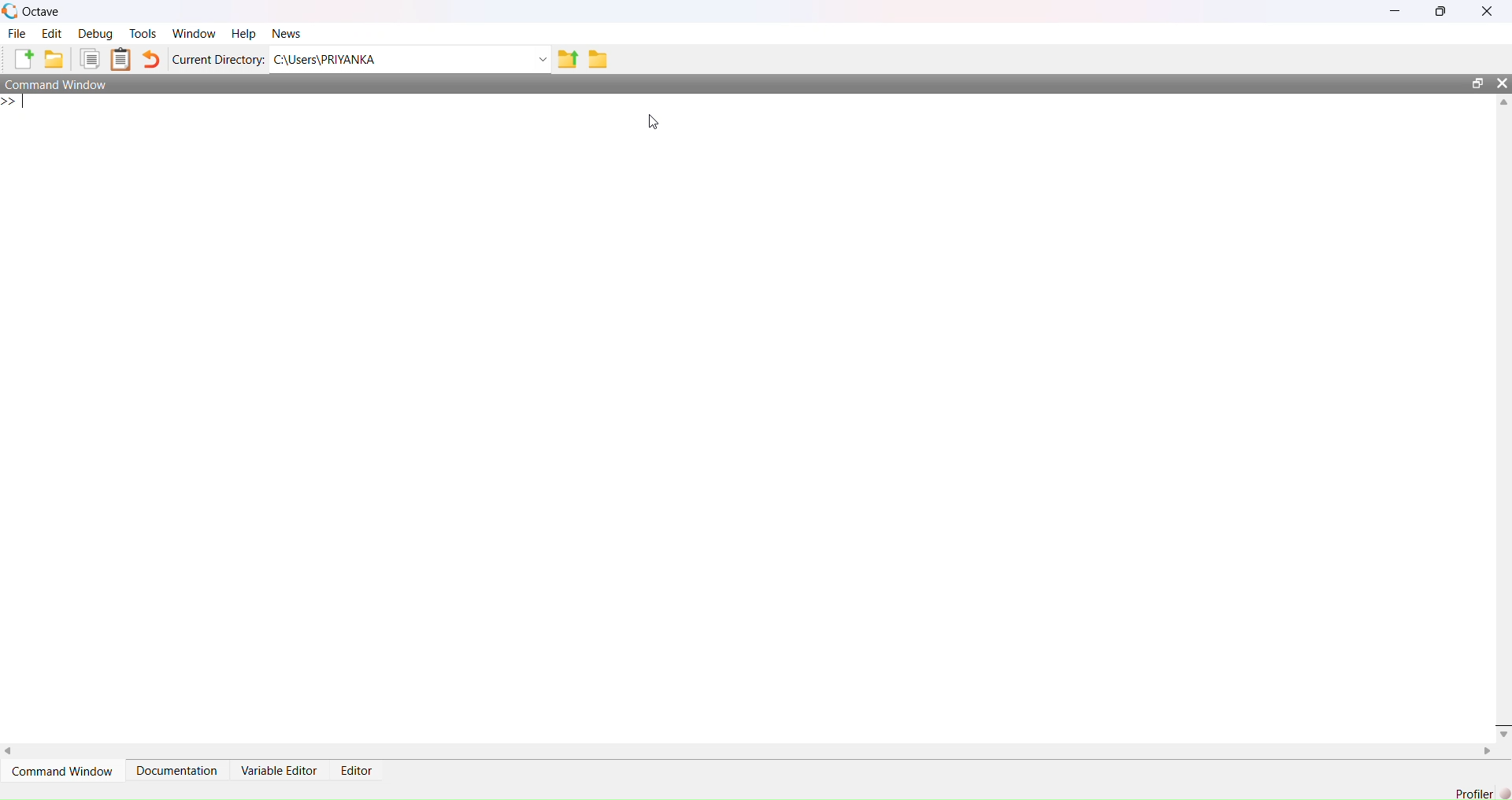  I want to click on Command Window, so click(718, 83).